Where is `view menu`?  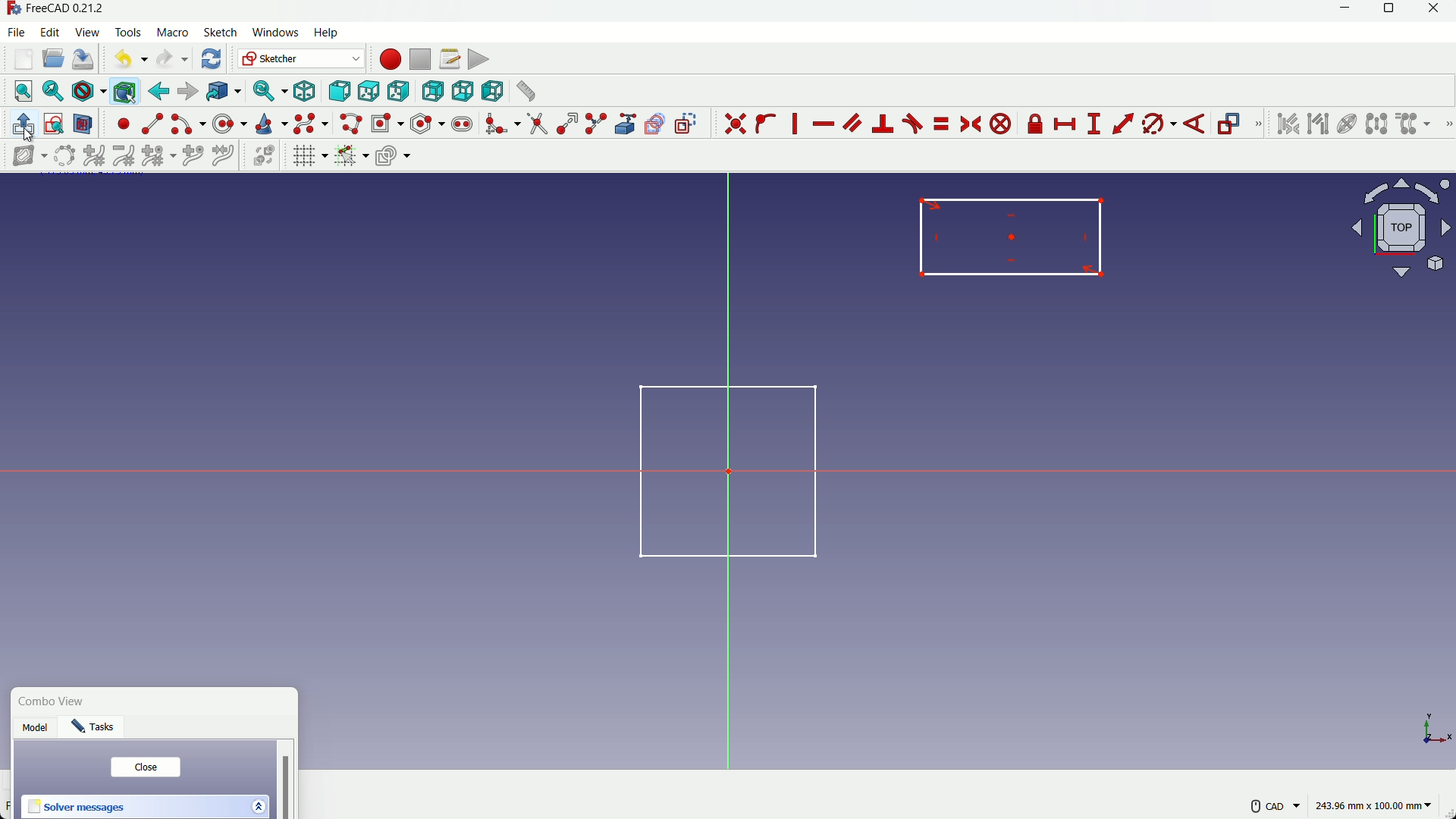 view menu is located at coordinates (89, 33).